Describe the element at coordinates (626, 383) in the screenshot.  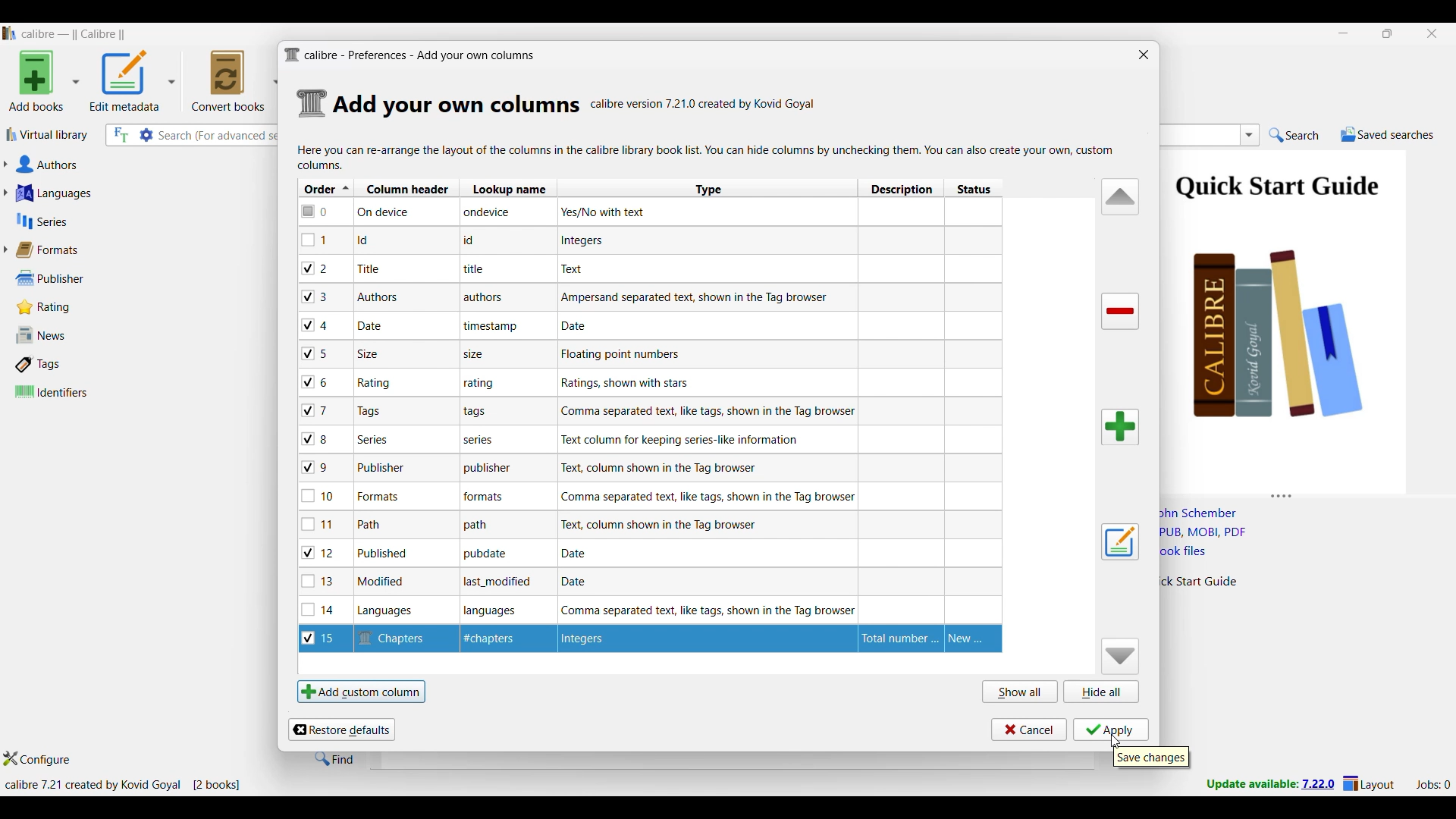
I see `Explanation` at that location.